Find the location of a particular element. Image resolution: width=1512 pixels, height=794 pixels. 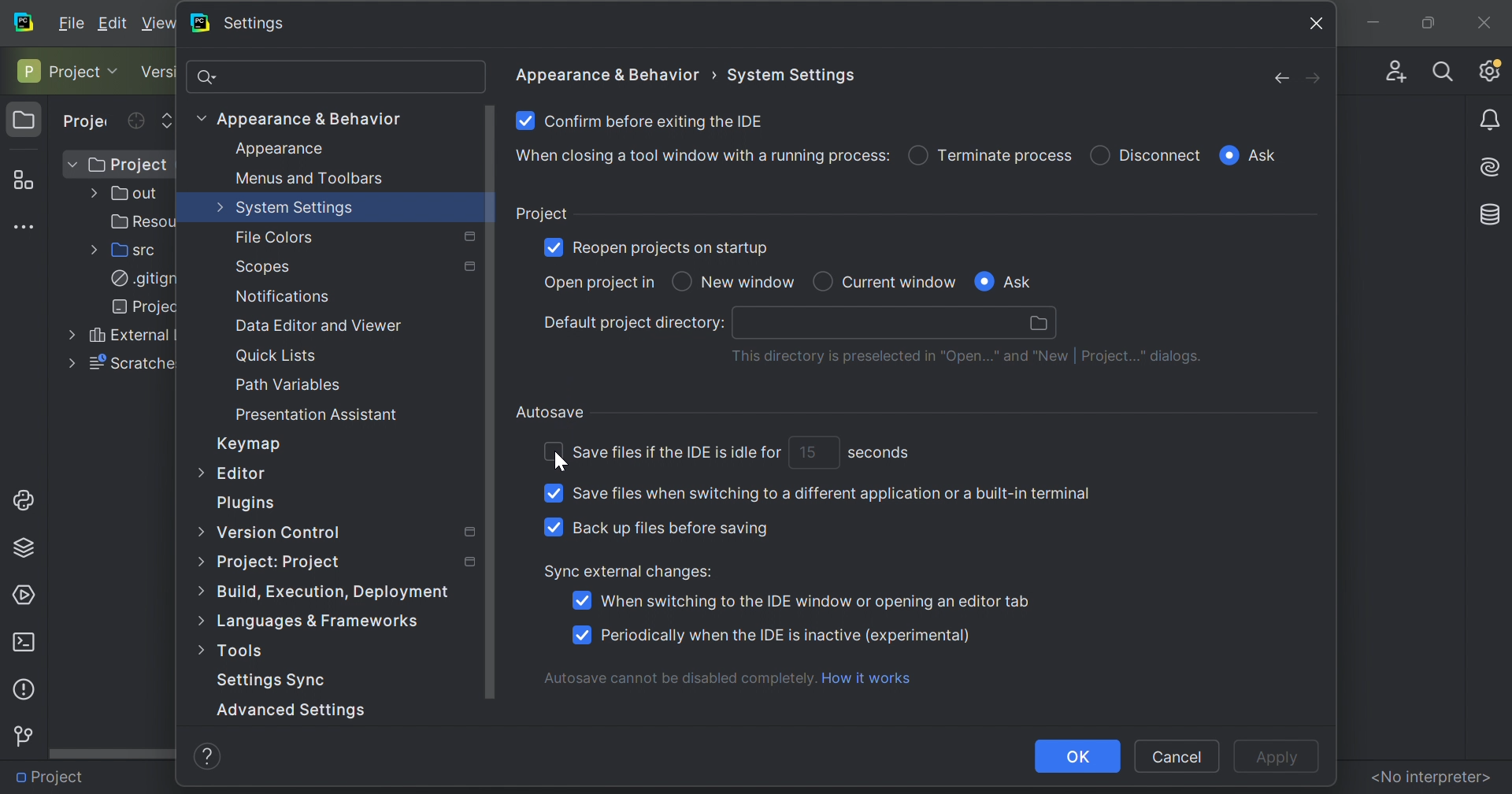

Keymap is located at coordinates (251, 444).